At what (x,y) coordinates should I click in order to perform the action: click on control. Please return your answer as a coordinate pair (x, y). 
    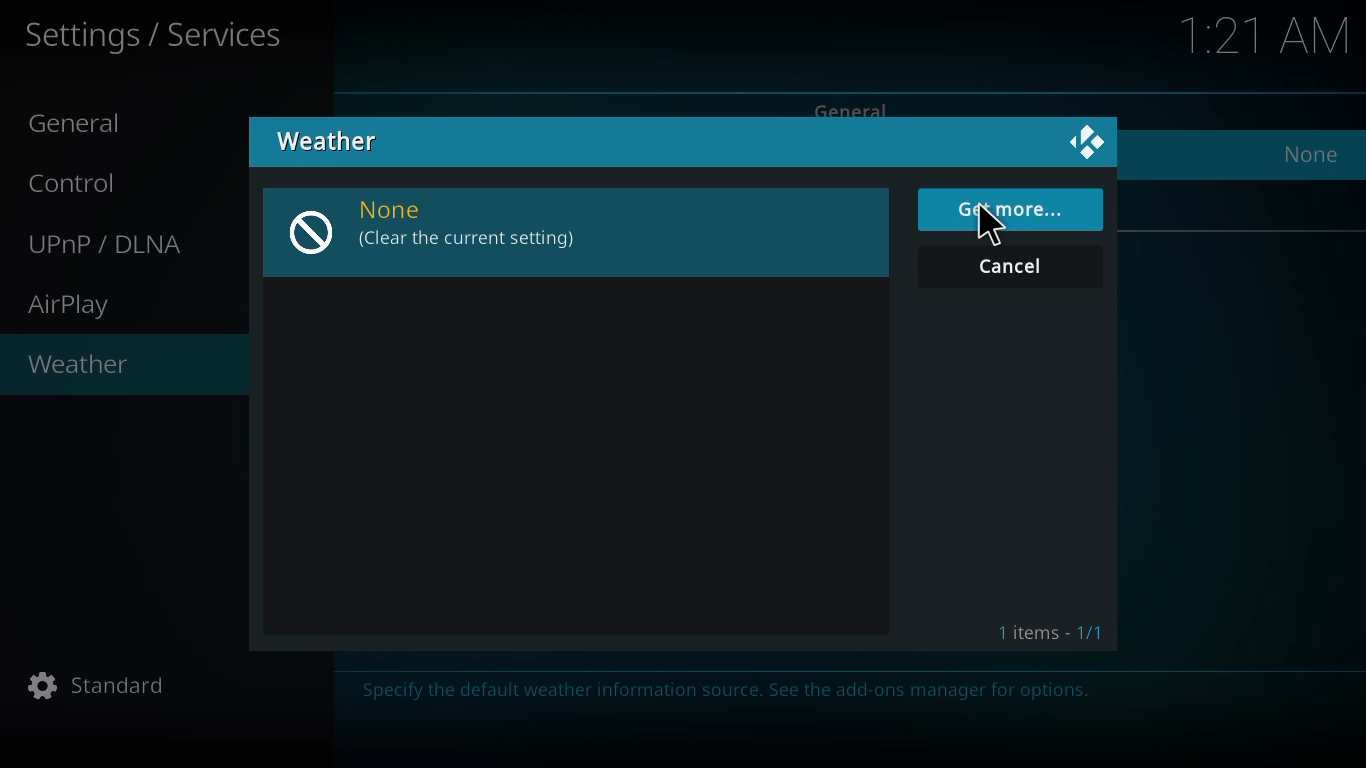
    Looking at the image, I should click on (83, 182).